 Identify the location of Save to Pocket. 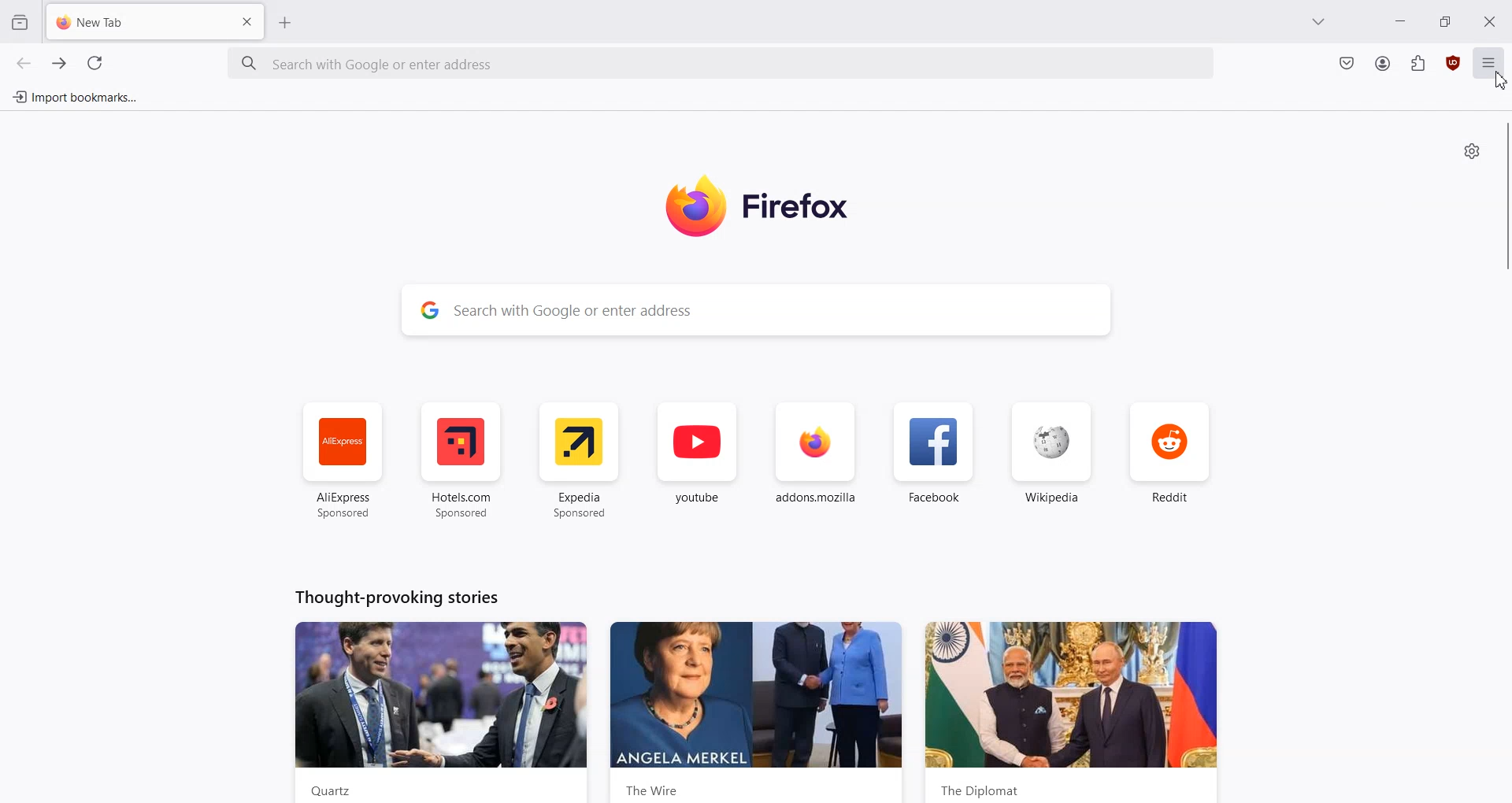
(1346, 63).